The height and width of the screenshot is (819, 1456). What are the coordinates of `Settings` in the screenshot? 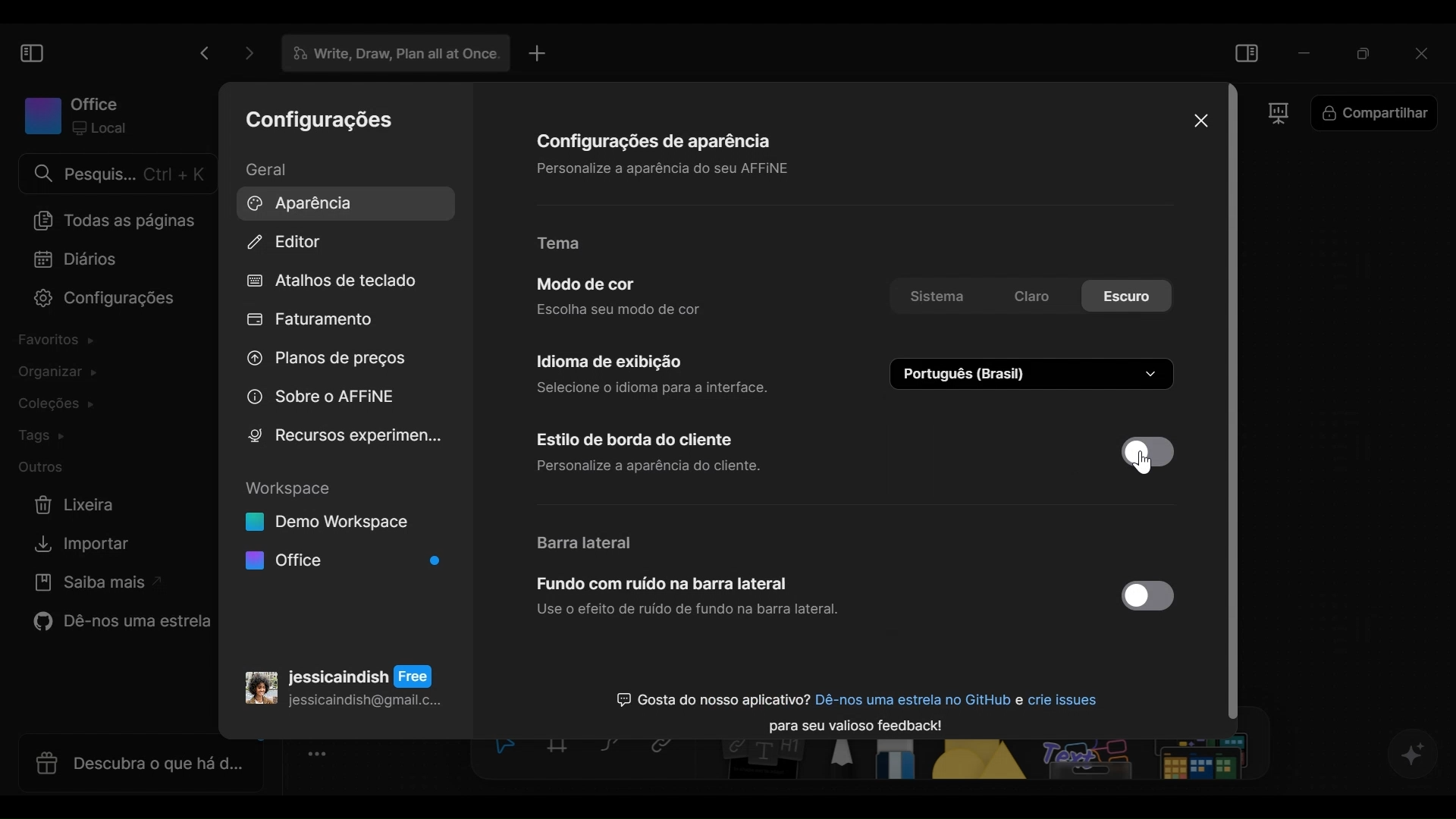 It's located at (320, 122).